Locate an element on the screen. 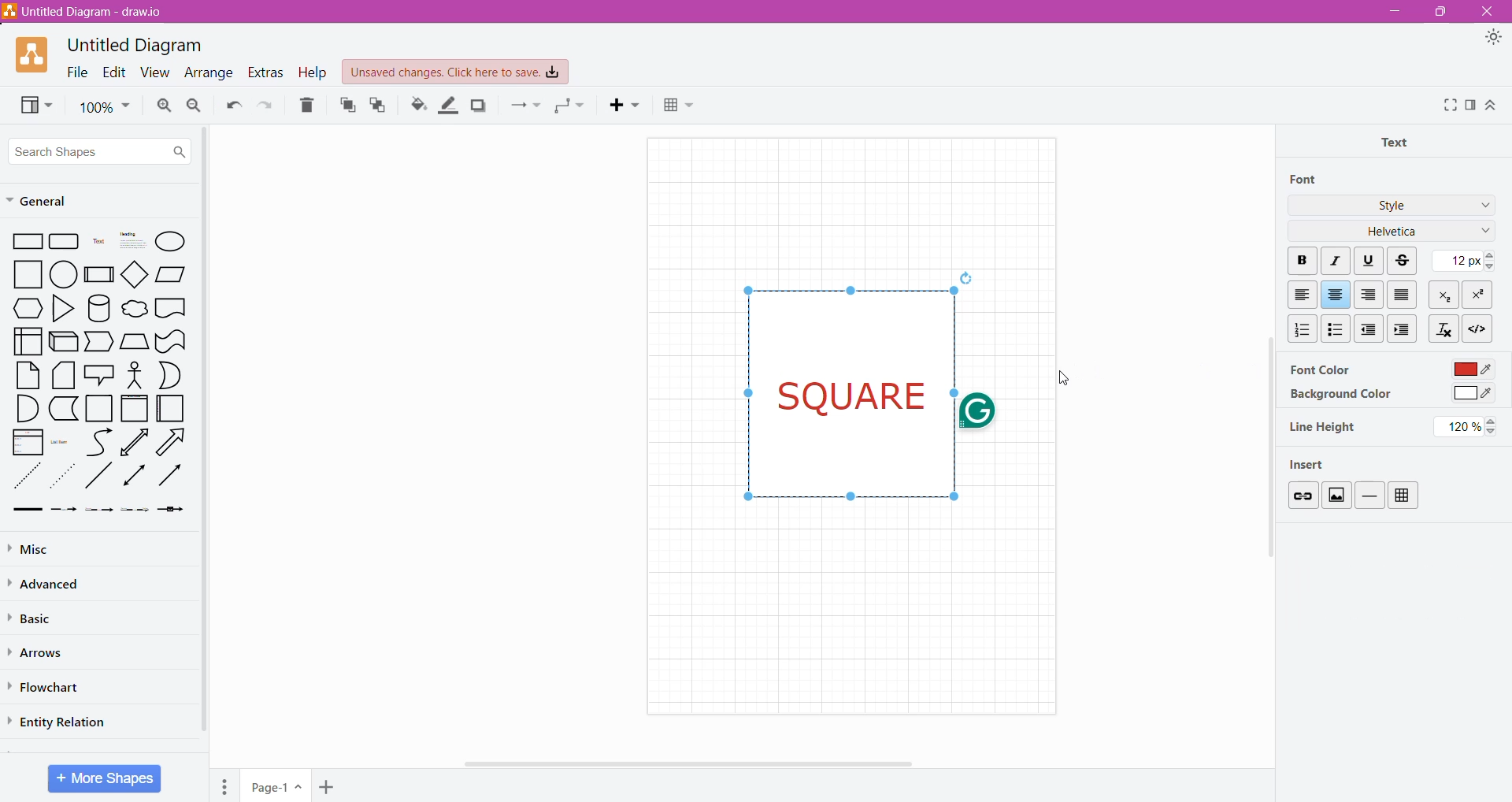 This screenshot has height=802, width=1512. Center is located at coordinates (1336, 295).